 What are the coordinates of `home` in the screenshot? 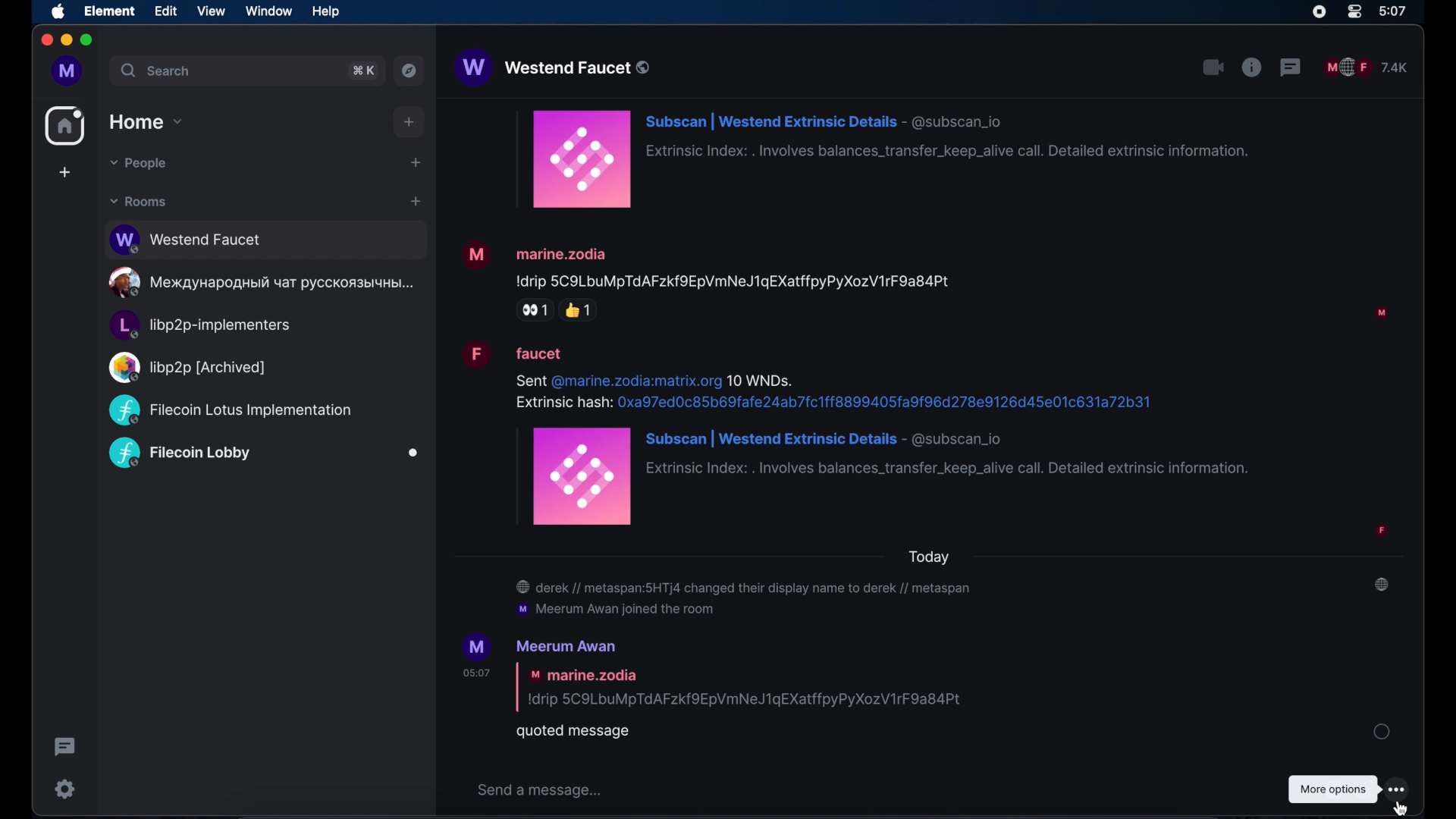 It's located at (64, 126).